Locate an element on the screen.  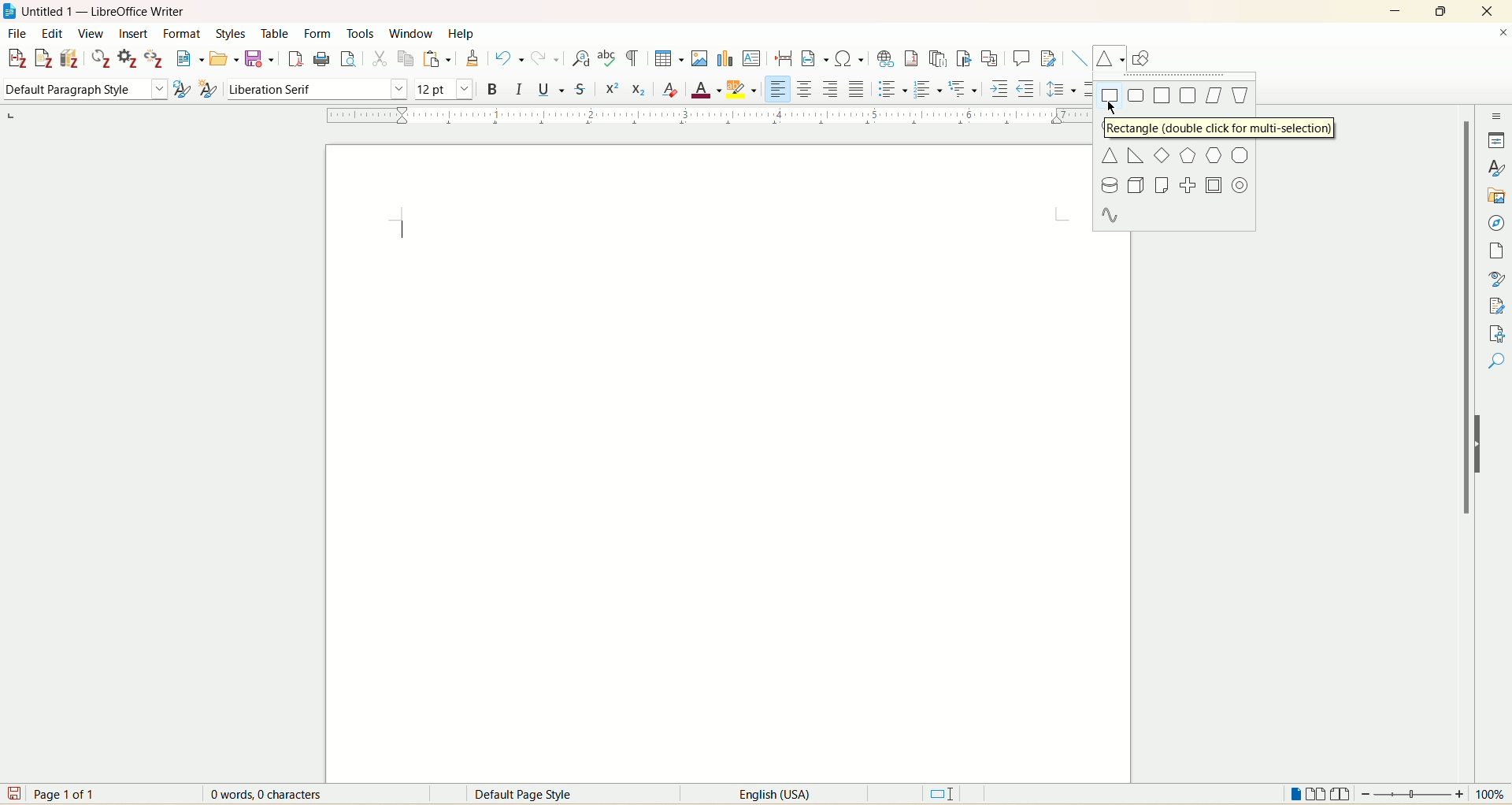
vertical scroll bar is located at coordinates (1463, 432).